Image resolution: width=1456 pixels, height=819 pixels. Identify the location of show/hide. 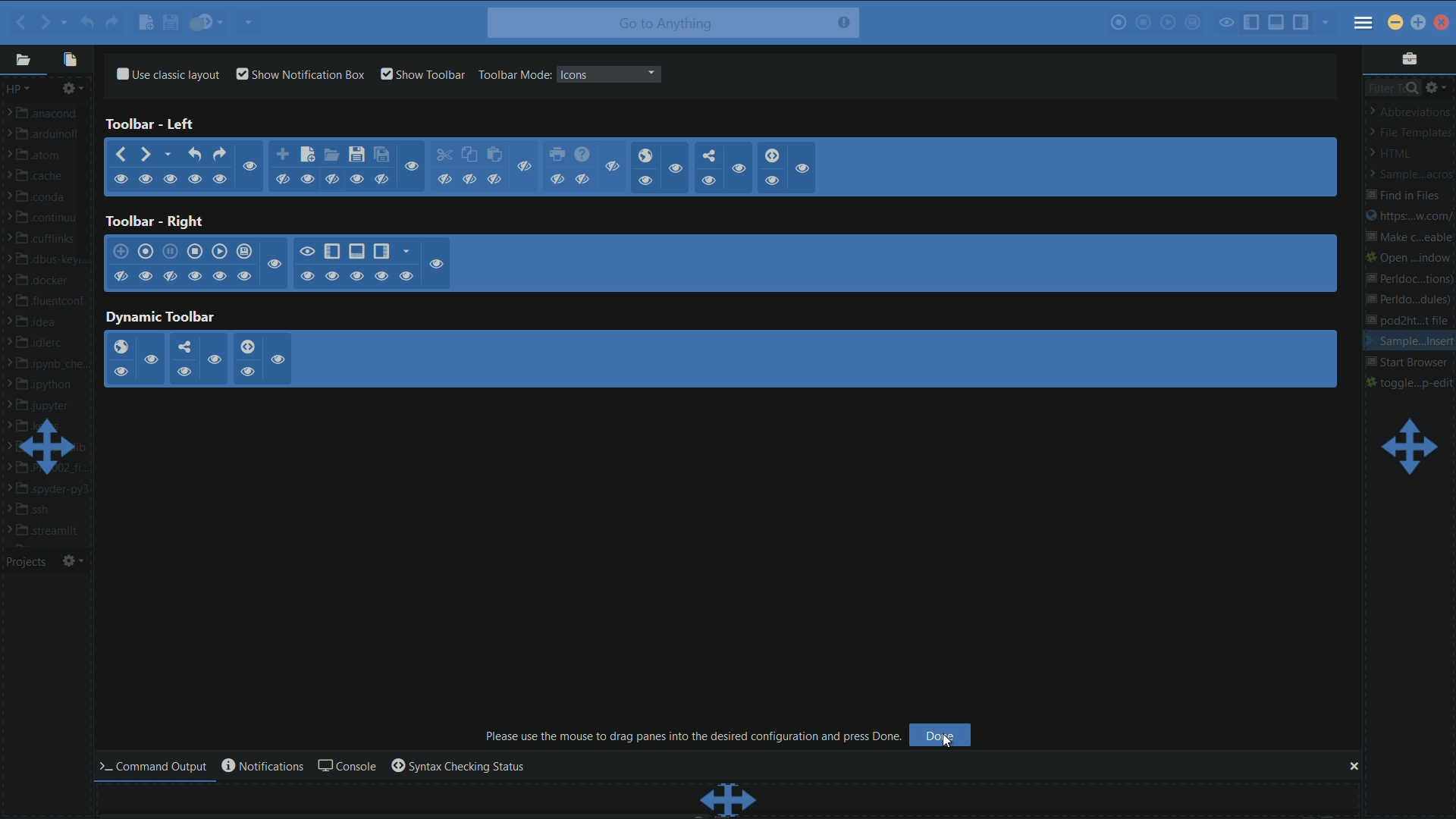
(356, 178).